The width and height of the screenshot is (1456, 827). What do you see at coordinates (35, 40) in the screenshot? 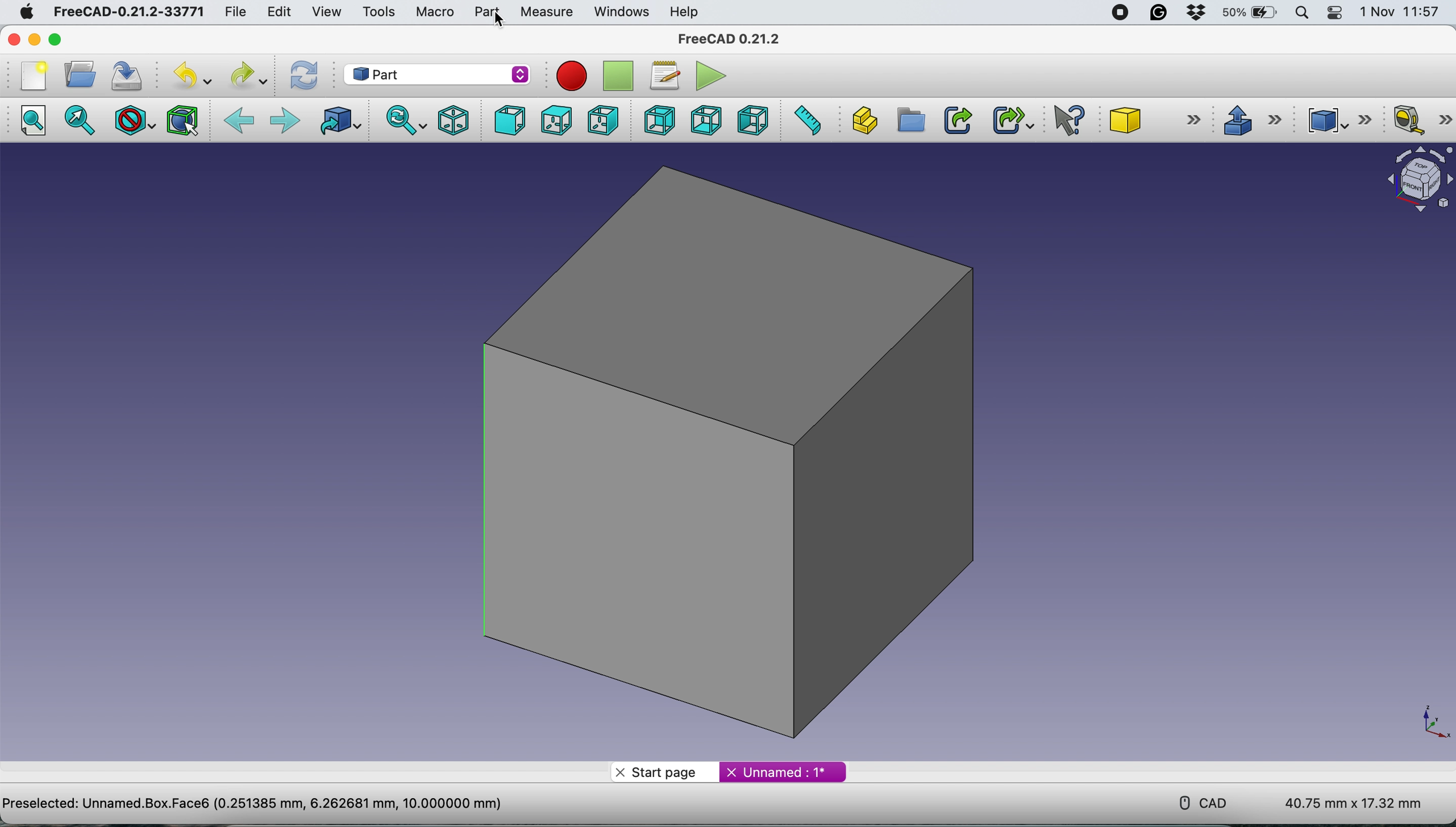
I see `minimise` at bounding box center [35, 40].